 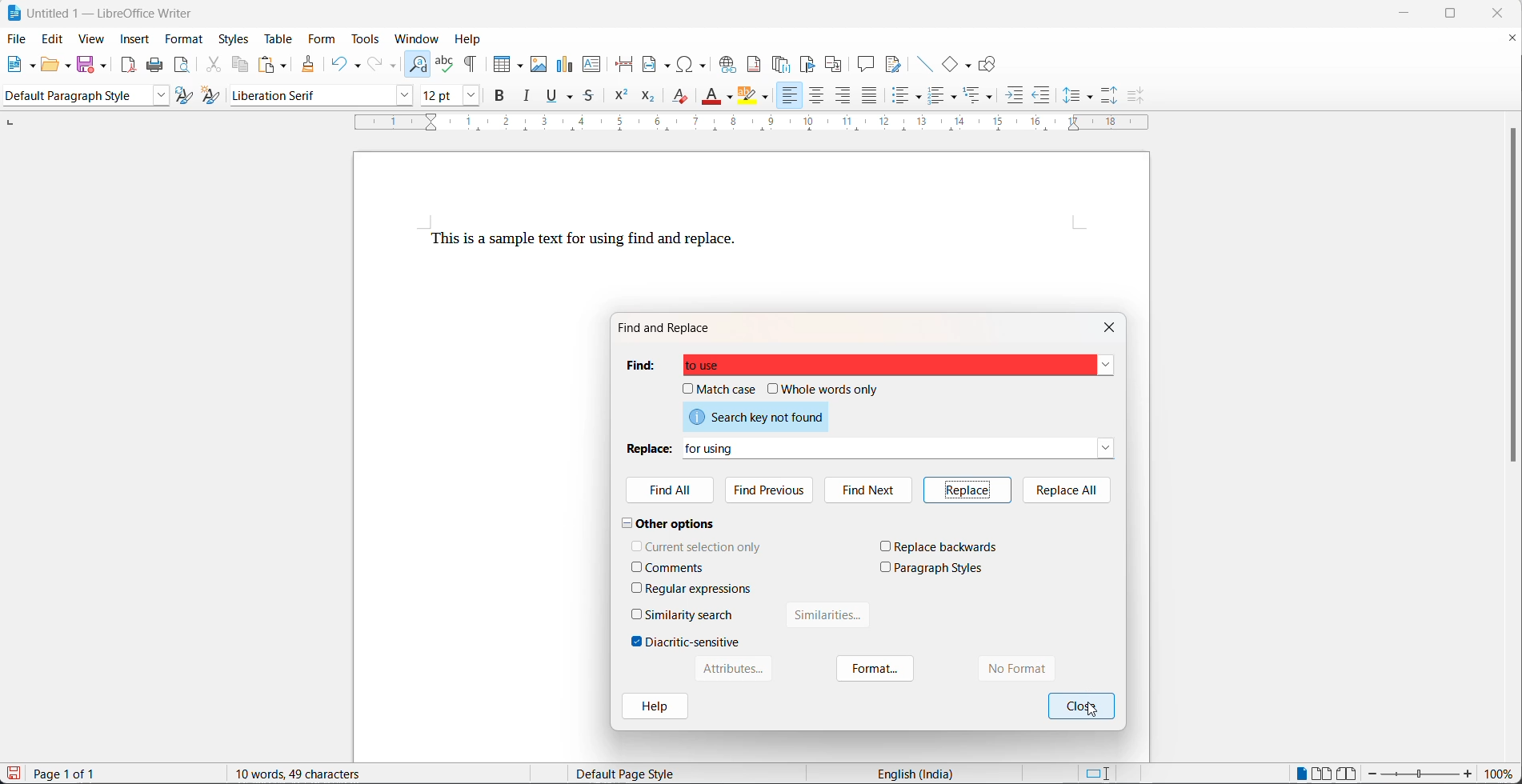 I want to click on paste, so click(x=267, y=64).